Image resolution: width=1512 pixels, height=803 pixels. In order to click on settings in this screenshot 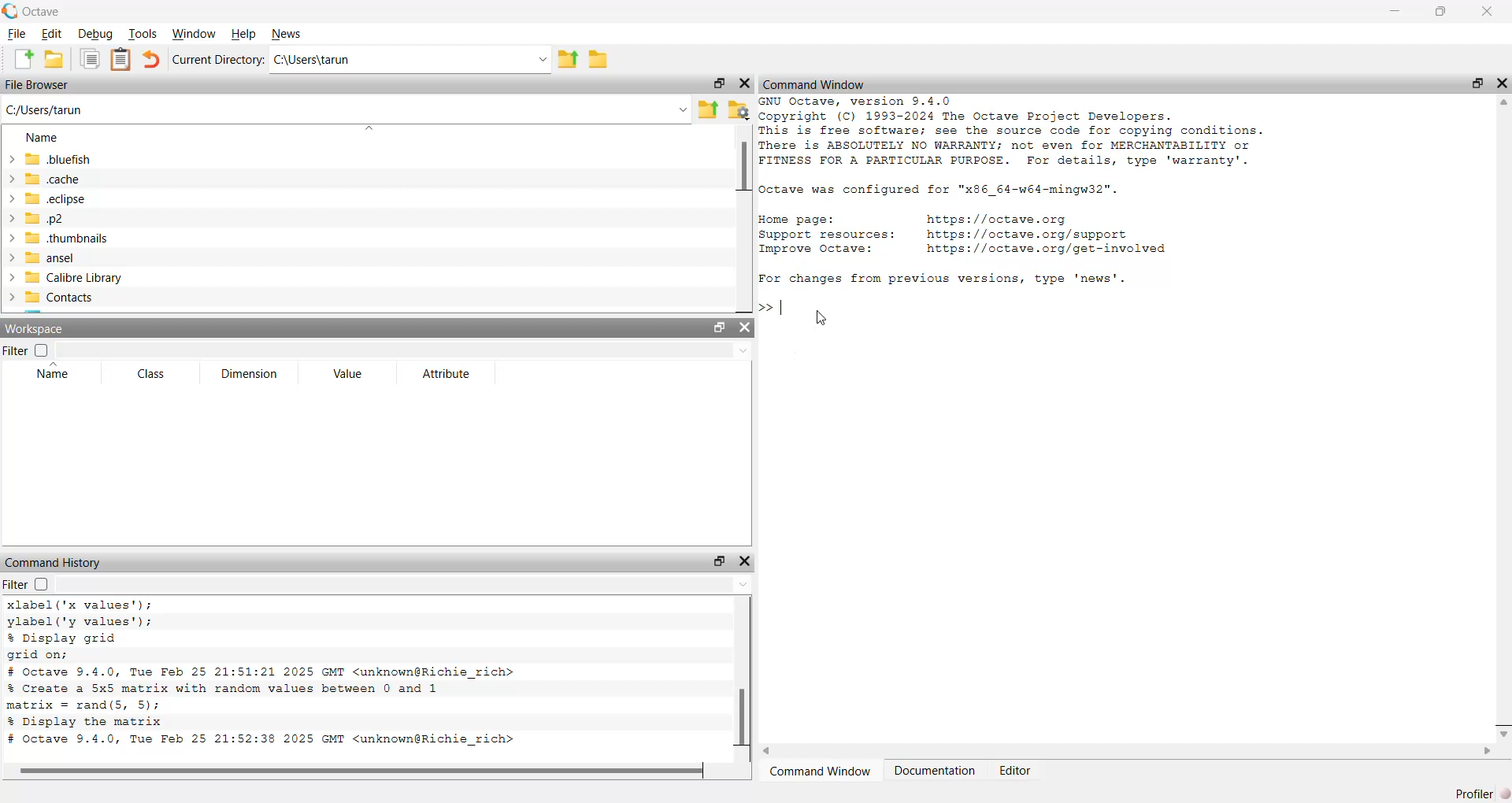, I will do `click(739, 112)`.